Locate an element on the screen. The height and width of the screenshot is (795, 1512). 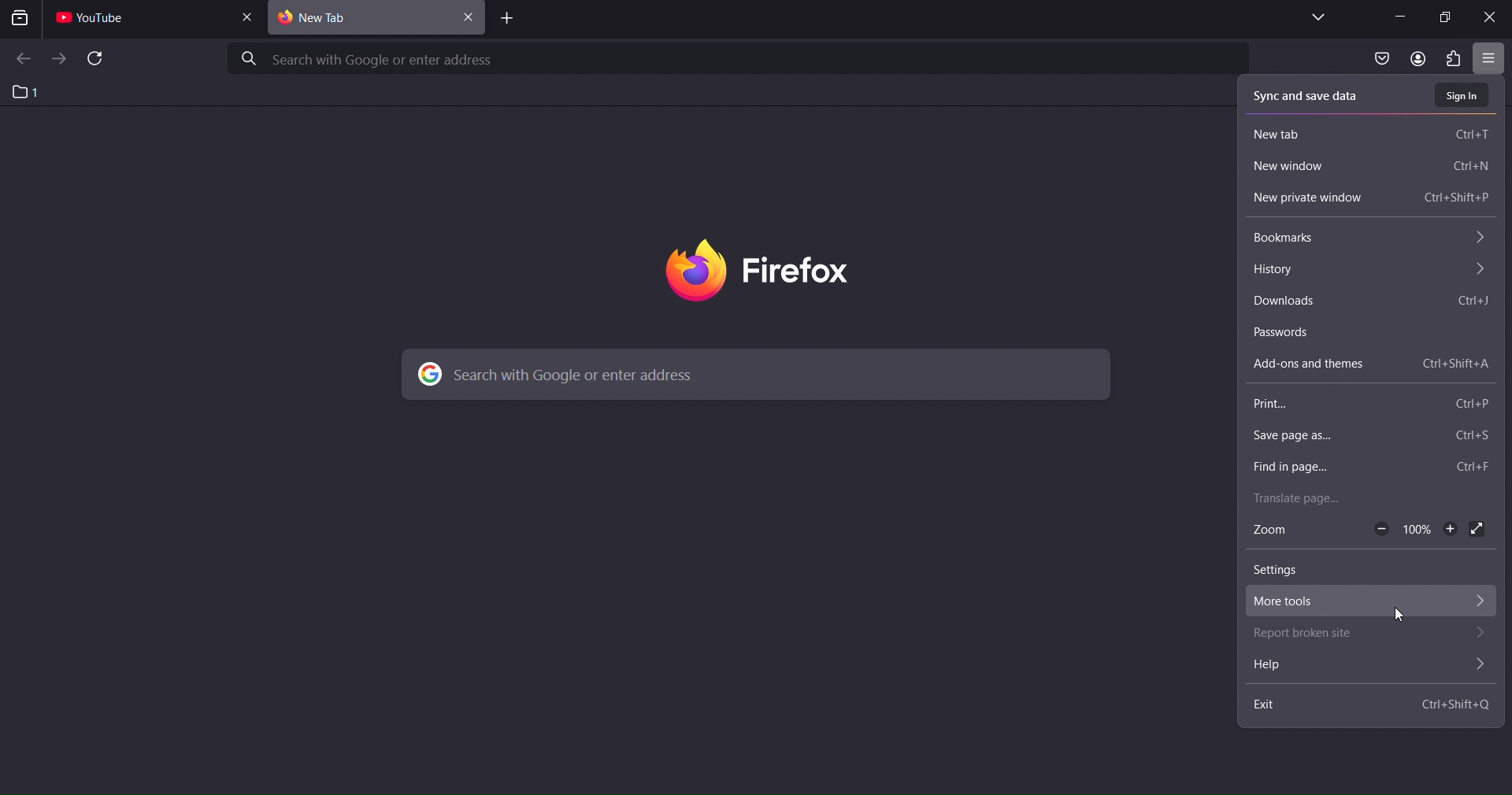
reload current page is located at coordinates (96, 60).